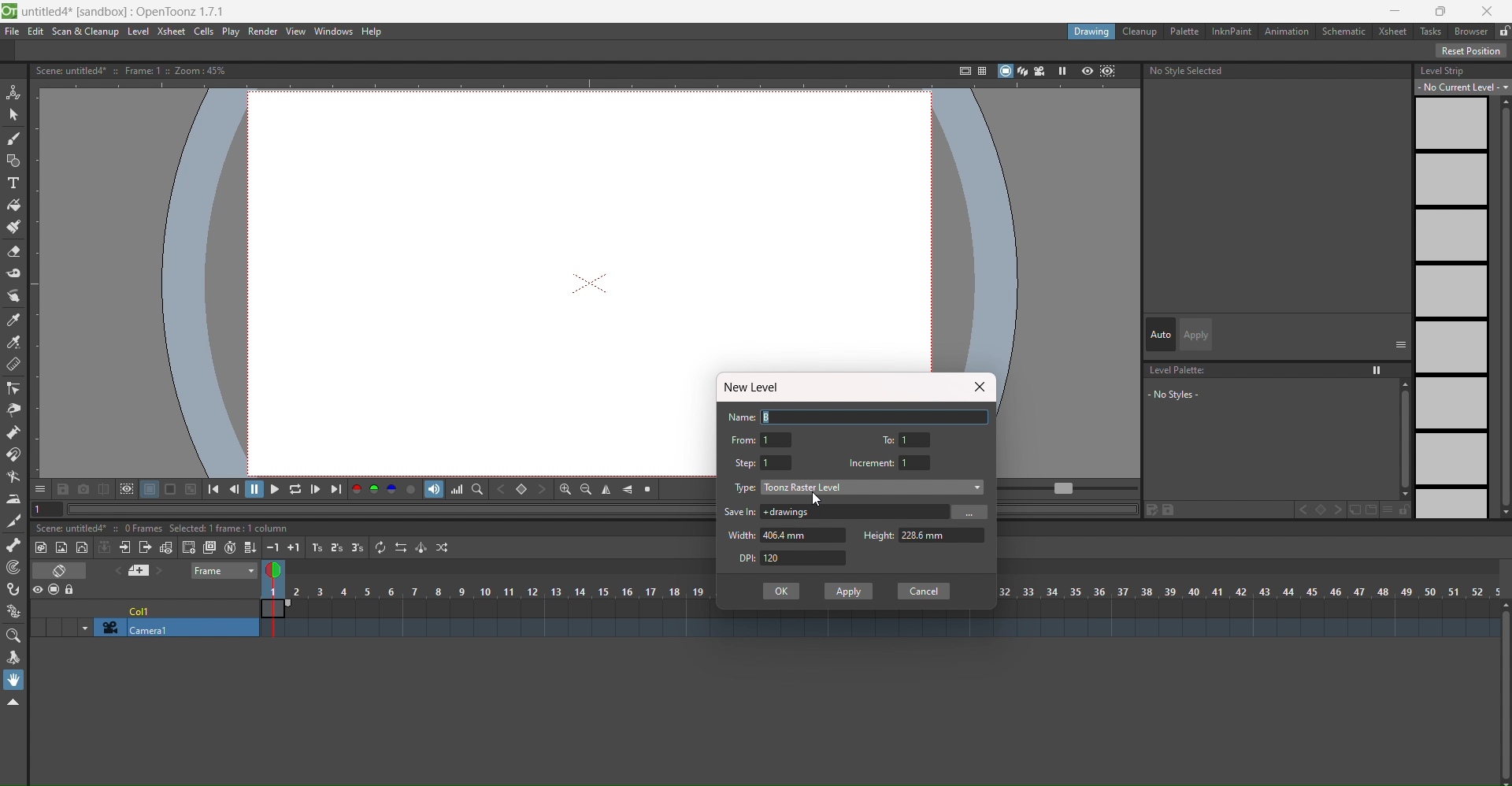 The width and height of the screenshot is (1512, 786). I want to click on new toonz raster level, so click(43, 547).